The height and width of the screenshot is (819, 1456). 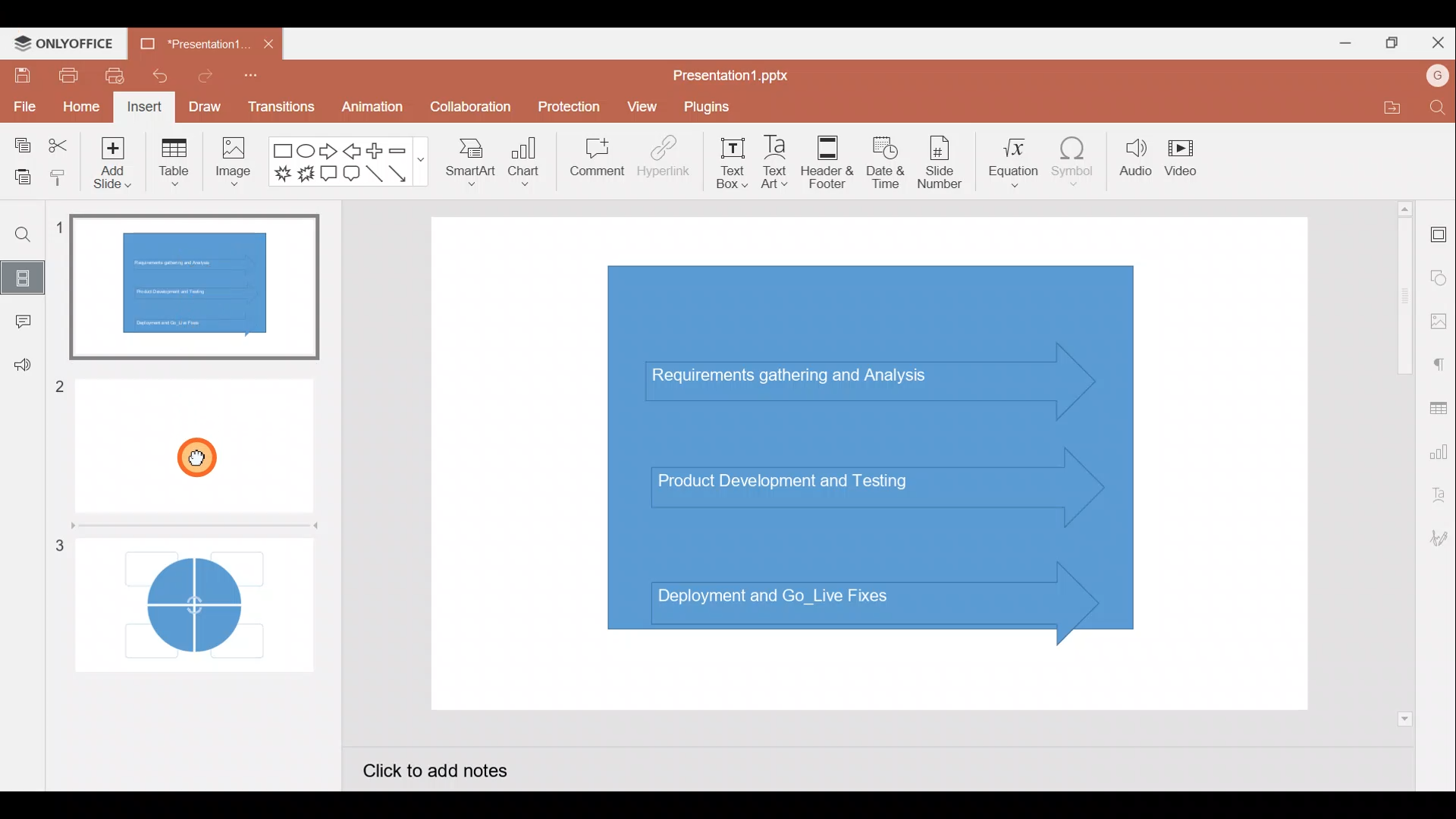 I want to click on Find, so click(x=26, y=237).